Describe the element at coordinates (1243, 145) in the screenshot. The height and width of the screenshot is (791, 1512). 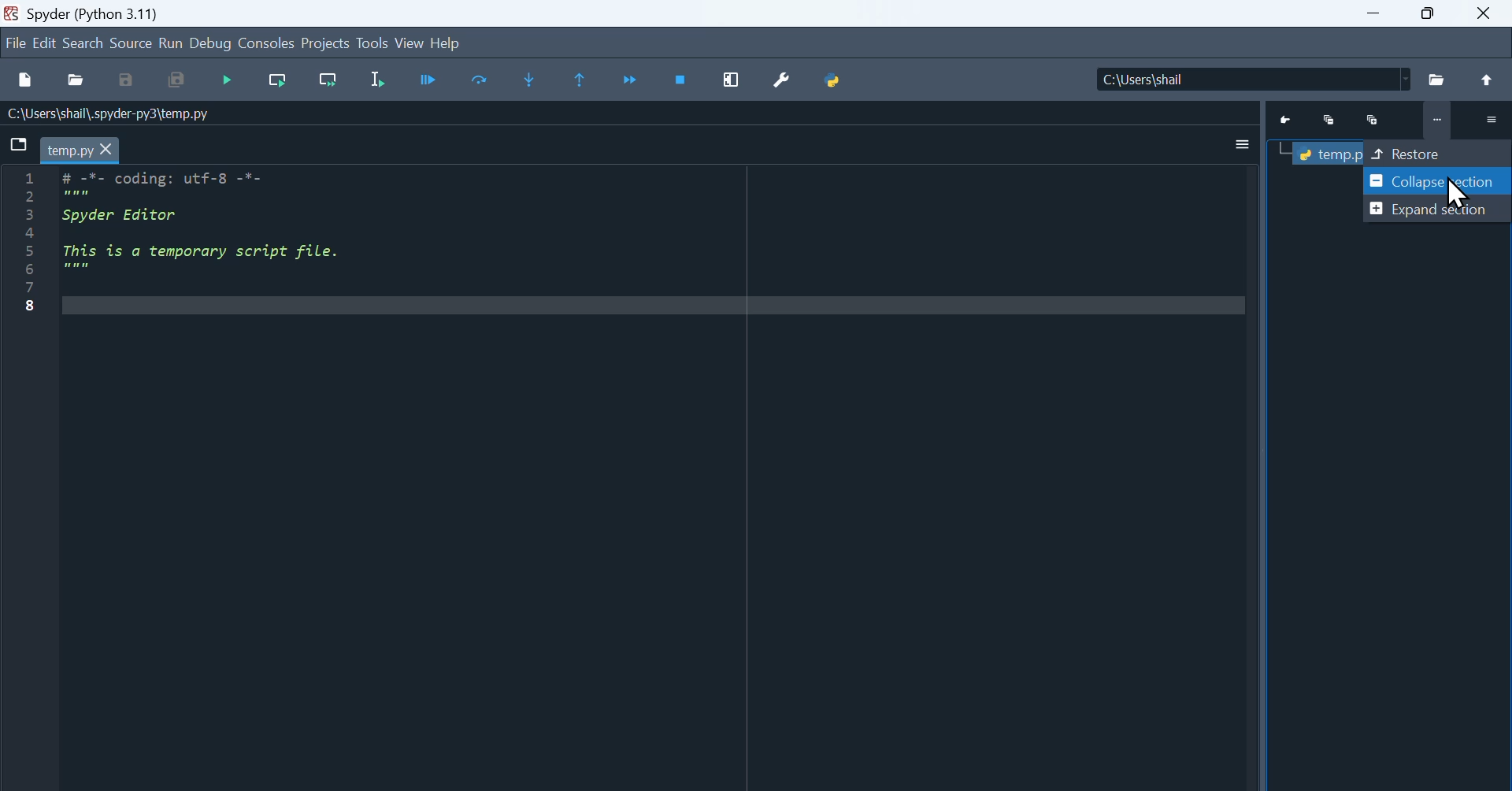
I see `More options` at that location.